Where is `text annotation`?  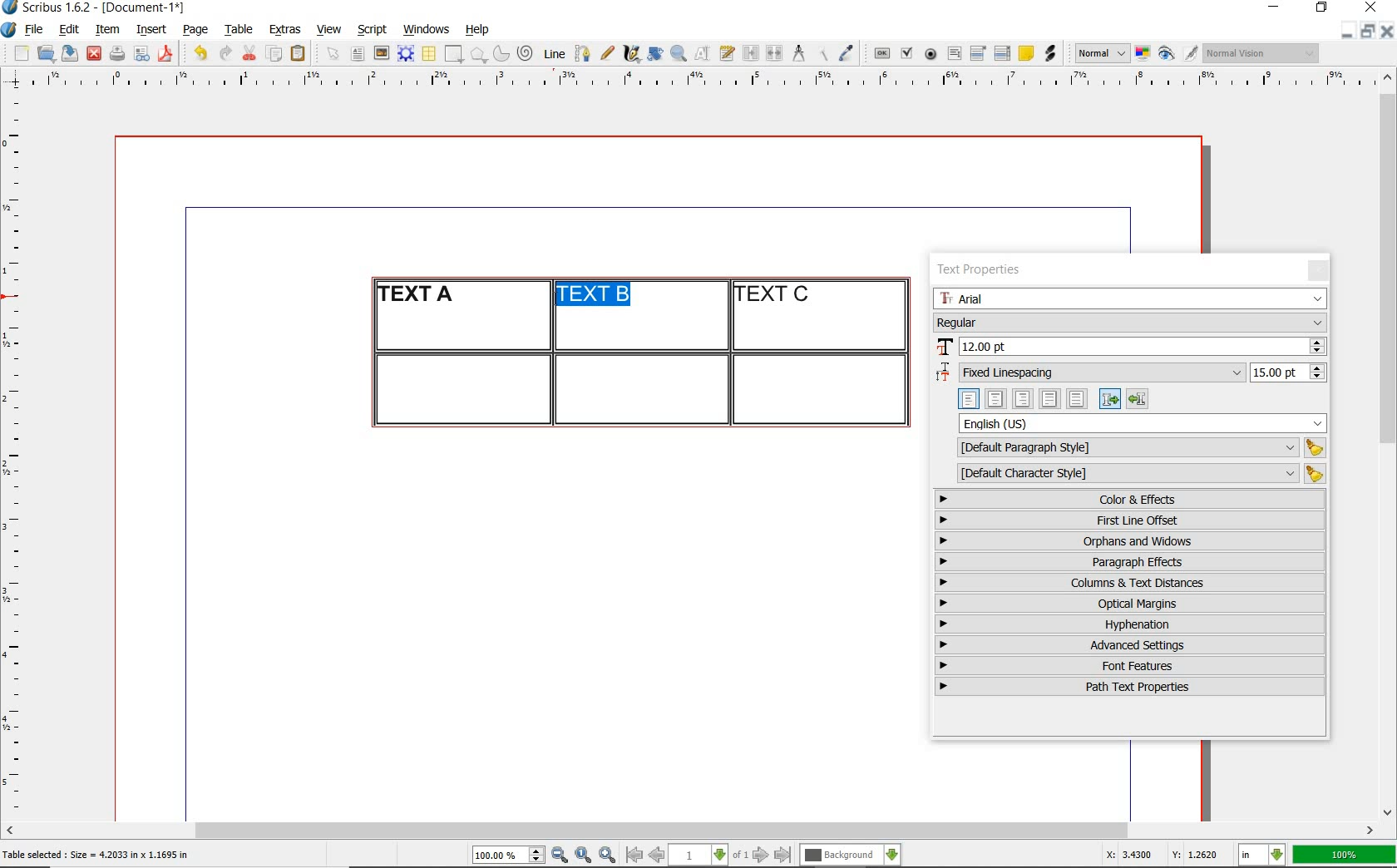
text annotation is located at coordinates (1025, 54).